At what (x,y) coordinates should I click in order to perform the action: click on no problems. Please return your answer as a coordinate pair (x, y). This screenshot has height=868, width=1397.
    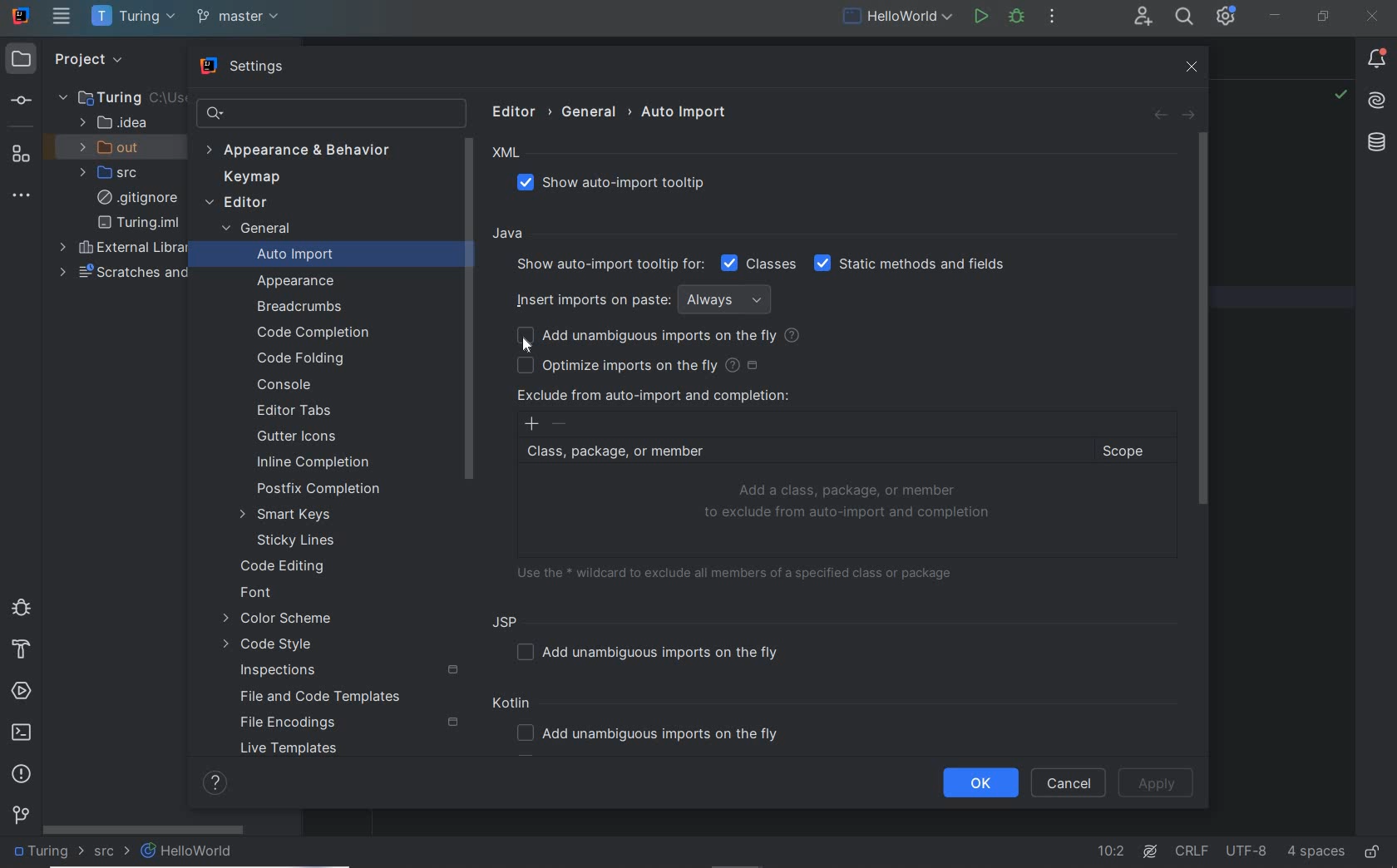
    Looking at the image, I should click on (1340, 96).